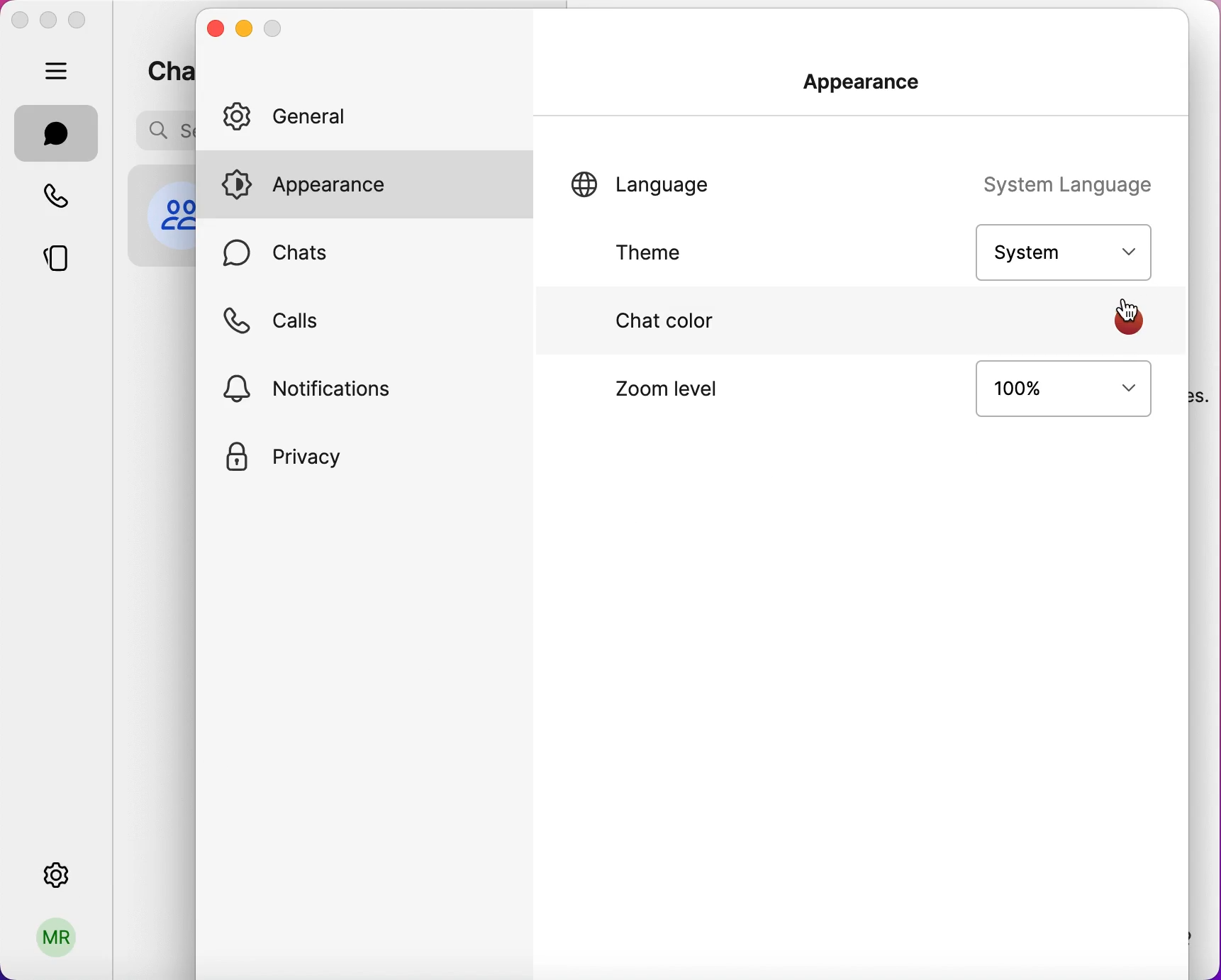 The width and height of the screenshot is (1221, 980). Describe the element at coordinates (67, 253) in the screenshot. I see `stories` at that location.